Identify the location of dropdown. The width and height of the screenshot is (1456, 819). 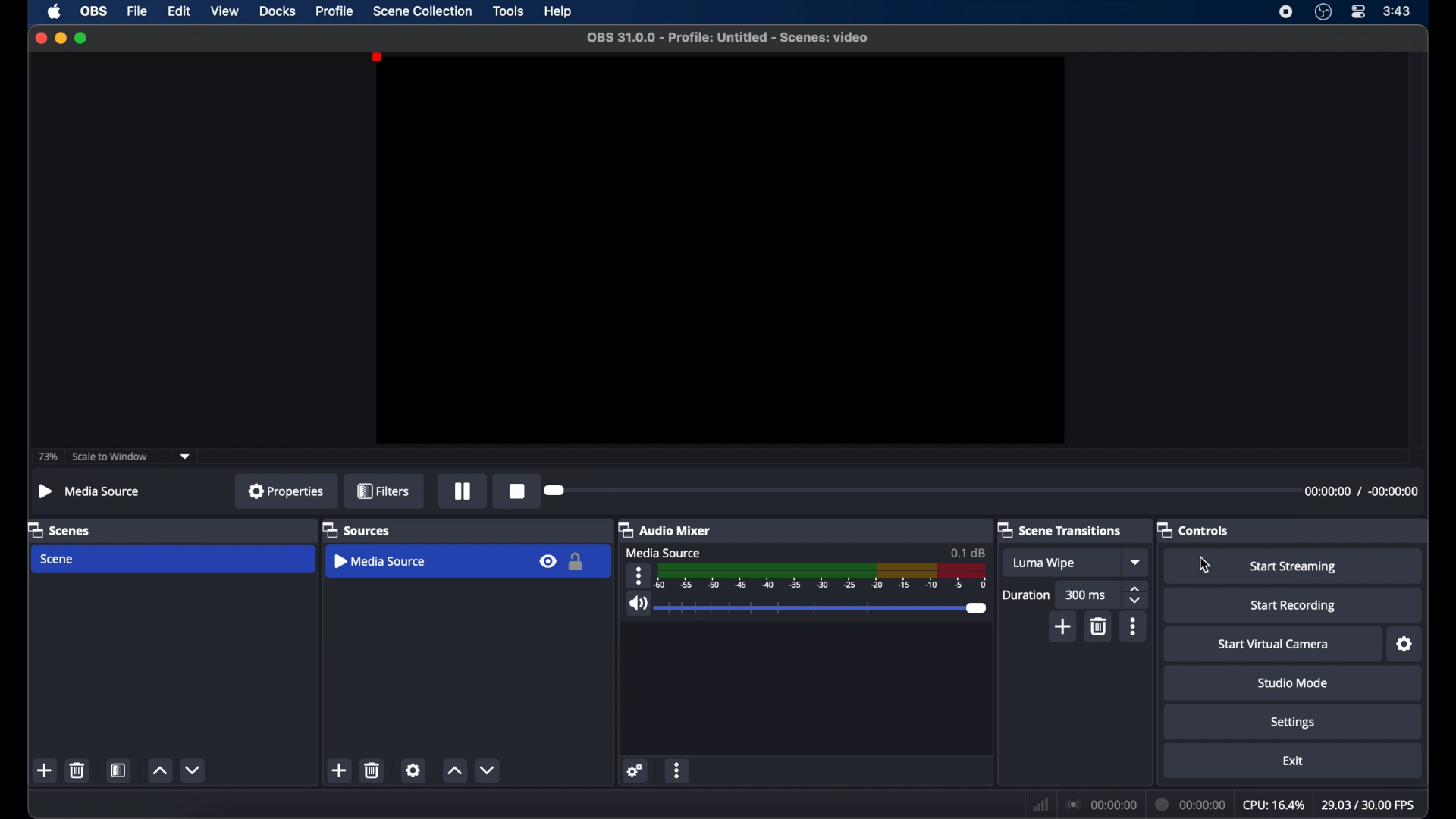
(185, 457).